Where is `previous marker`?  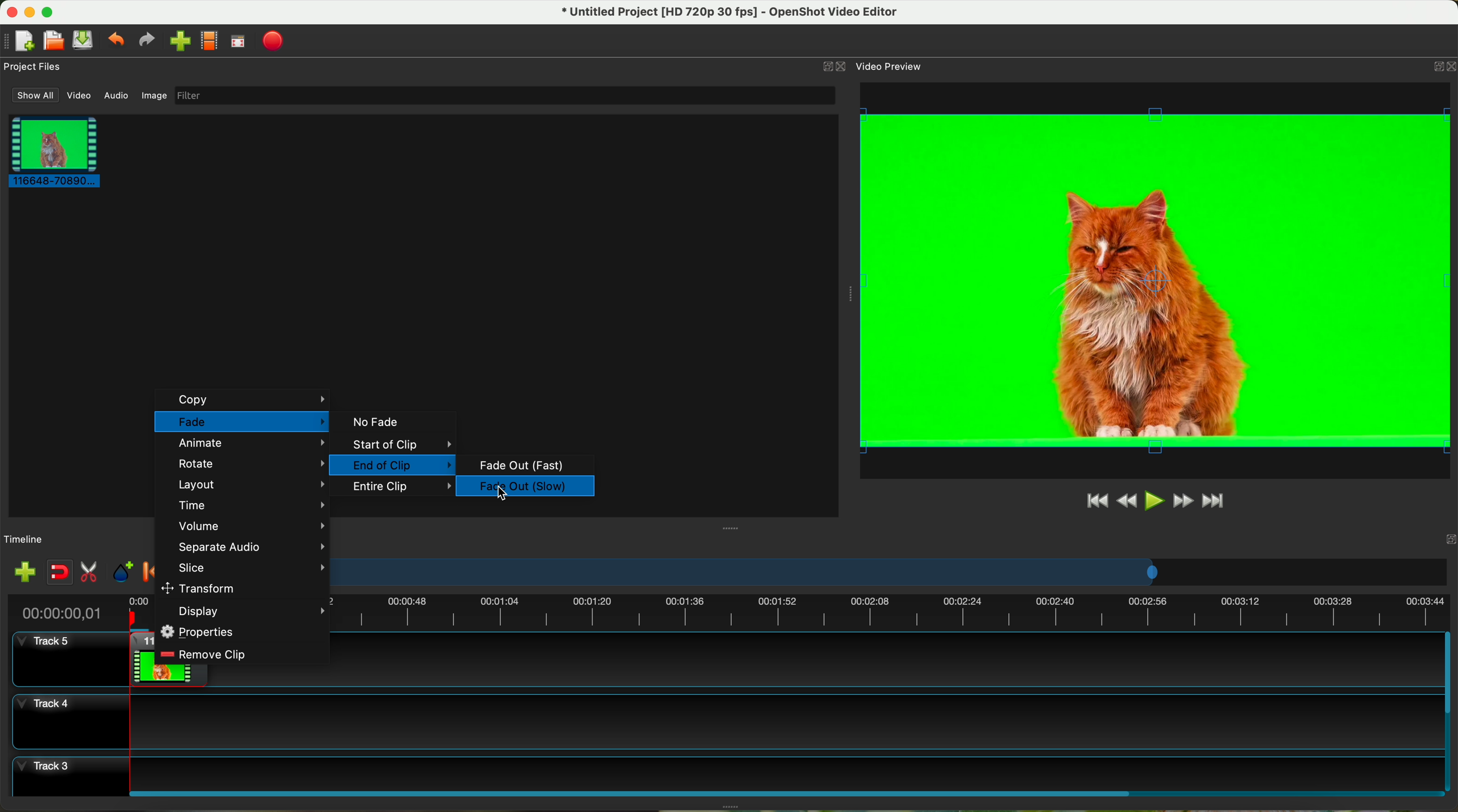
previous marker is located at coordinates (148, 572).